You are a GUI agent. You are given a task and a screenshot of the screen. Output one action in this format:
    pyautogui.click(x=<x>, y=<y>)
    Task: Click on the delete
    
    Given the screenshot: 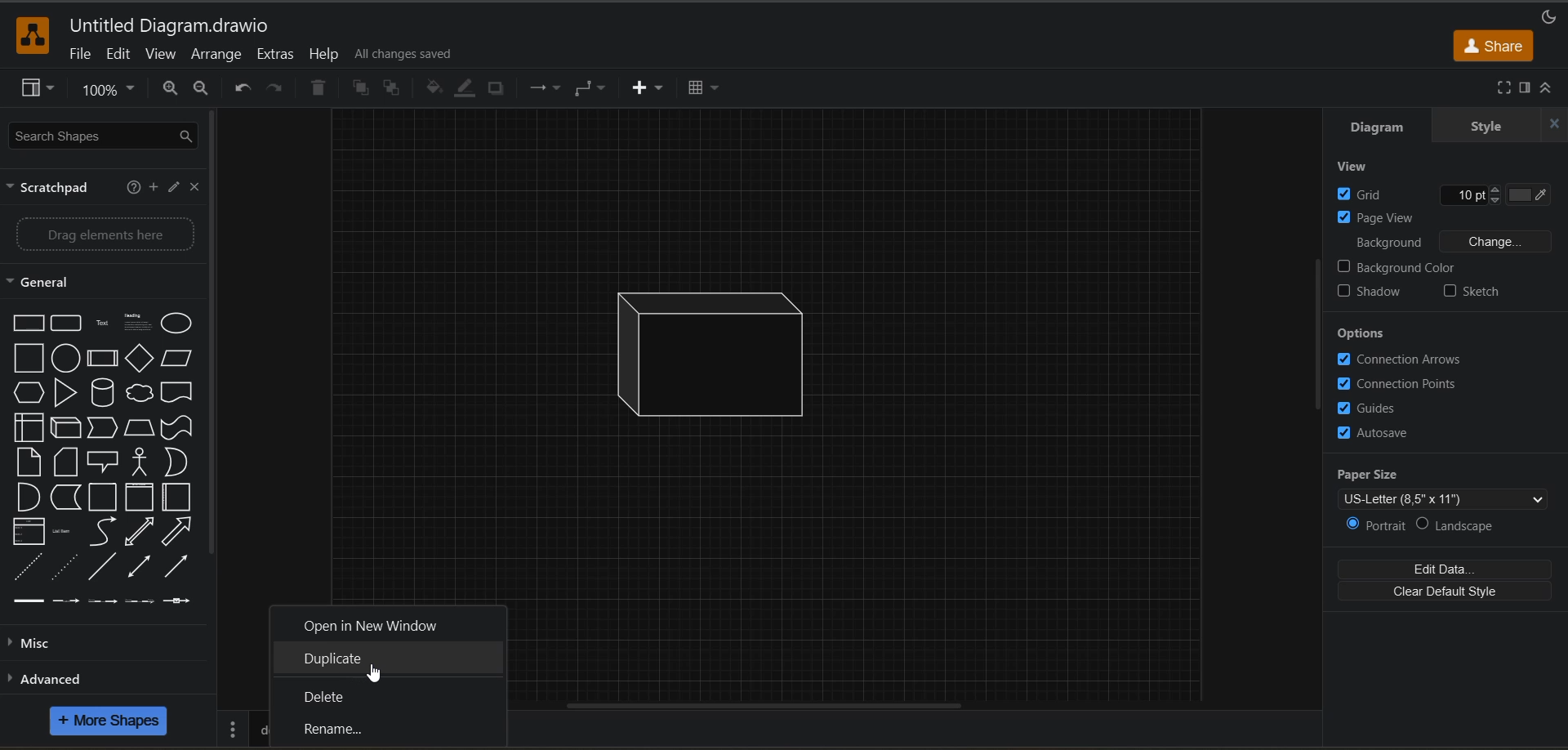 What is the action you would take?
    pyautogui.click(x=318, y=87)
    